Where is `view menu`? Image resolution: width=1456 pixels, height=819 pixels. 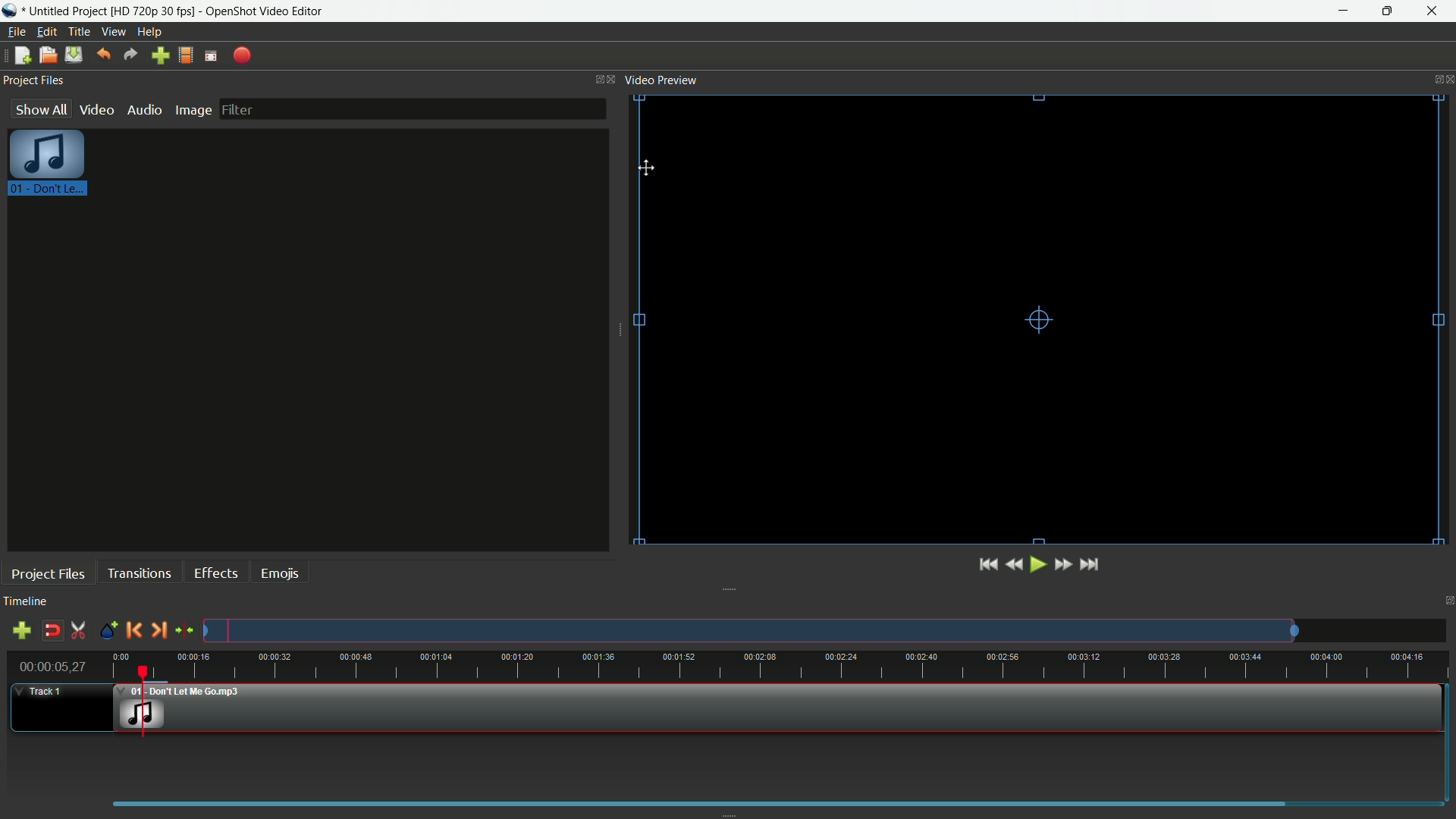 view menu is located at coordinates (115, 33).